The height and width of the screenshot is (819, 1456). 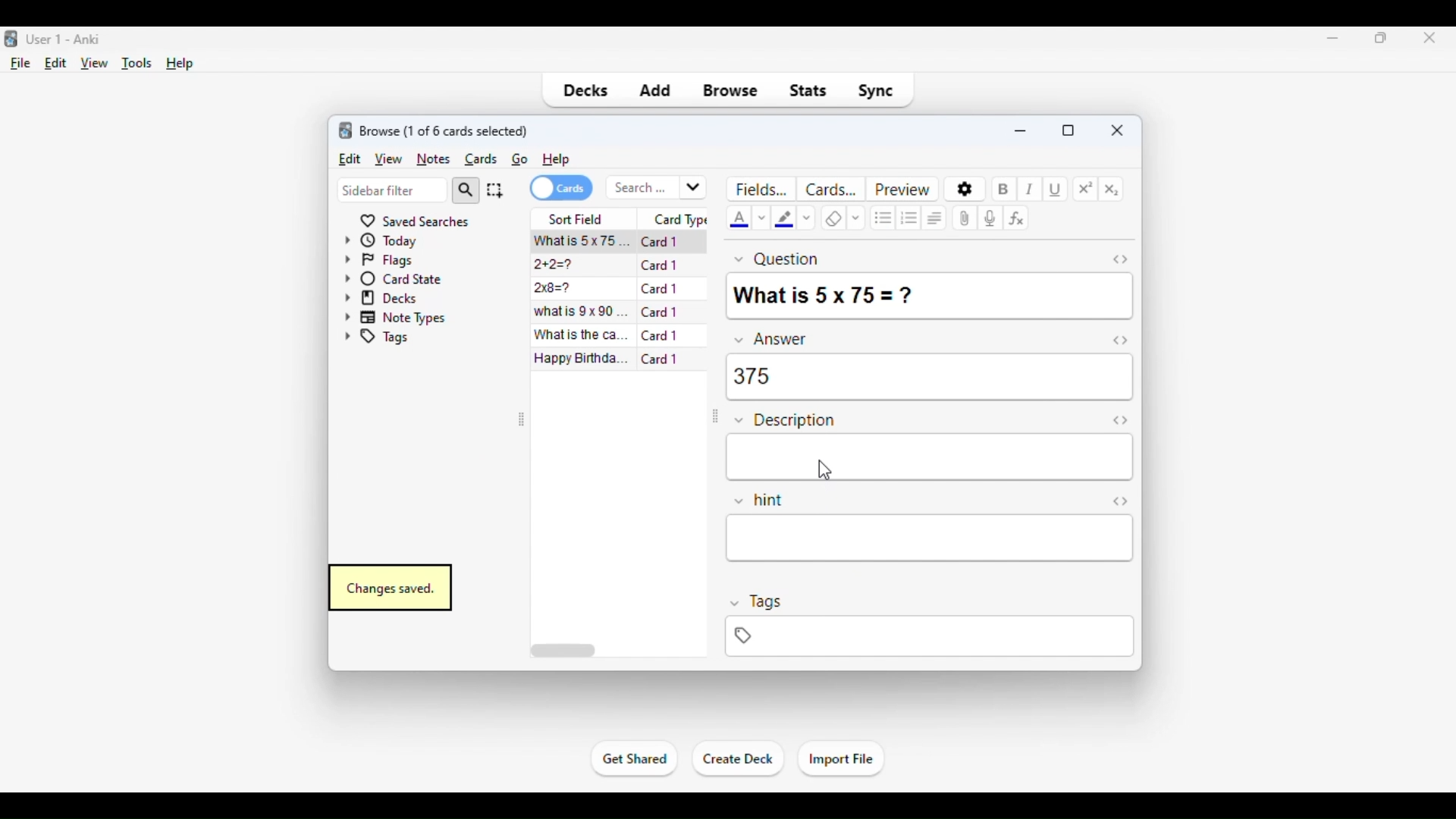 What do you see at coordinates (582, 334) in the screenshot?
I see `what is the capital of France?` at bounding box center [582, 334].